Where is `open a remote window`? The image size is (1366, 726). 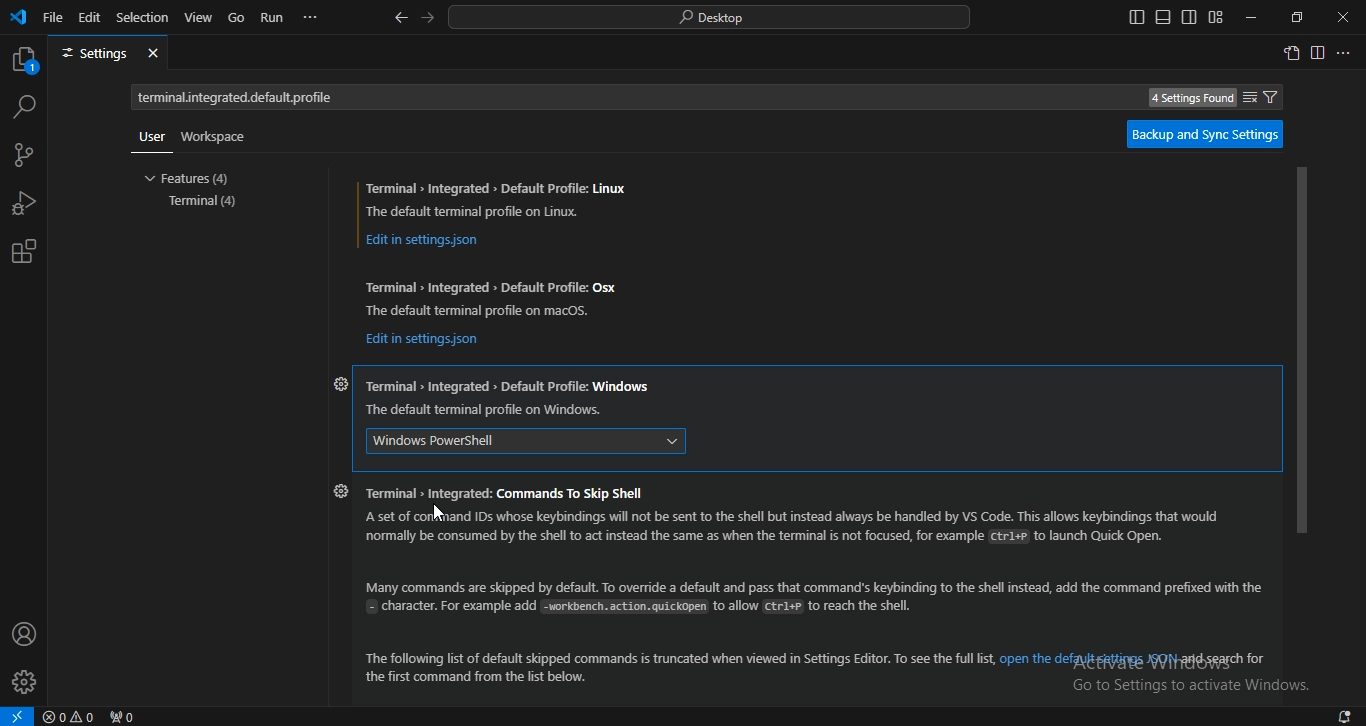 open a remote window is located at coordinates (18, 715).